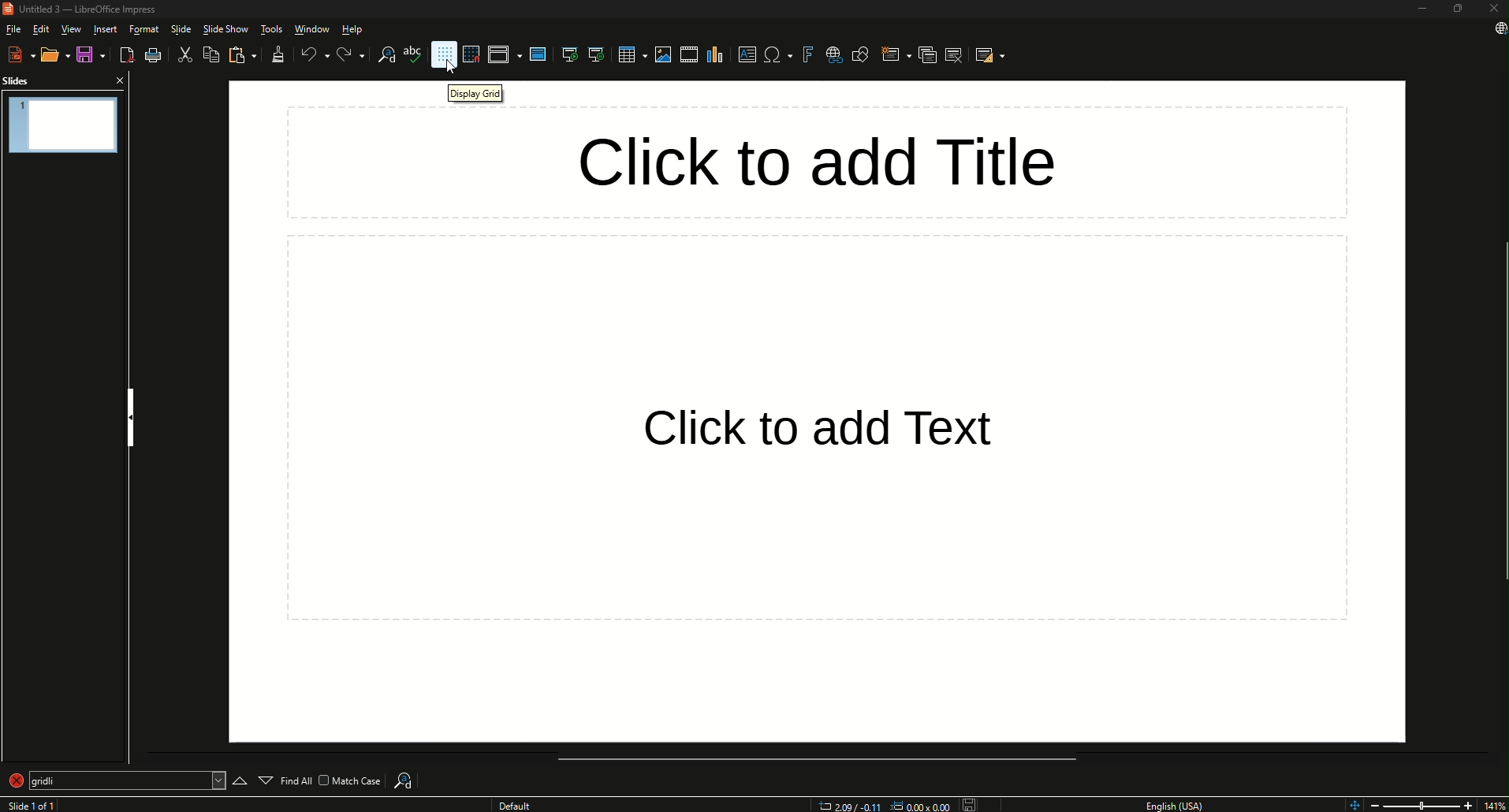 This screenshot has height=812, width=1509. What do you see at coordinates (443, 54) in the screenshot?
I see `Display grid` at bounding box center [443, 54].